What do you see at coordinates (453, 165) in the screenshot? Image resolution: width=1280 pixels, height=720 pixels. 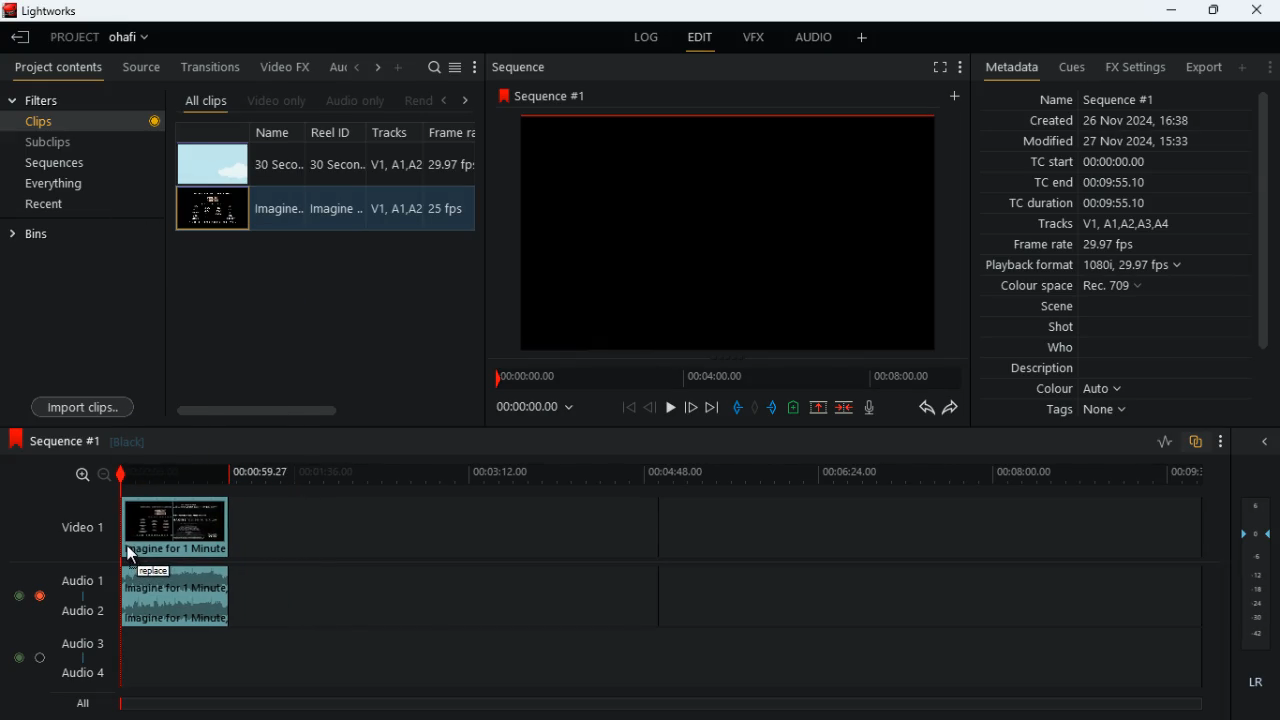 I see `Frame rate` at bounding box center [453, 165].